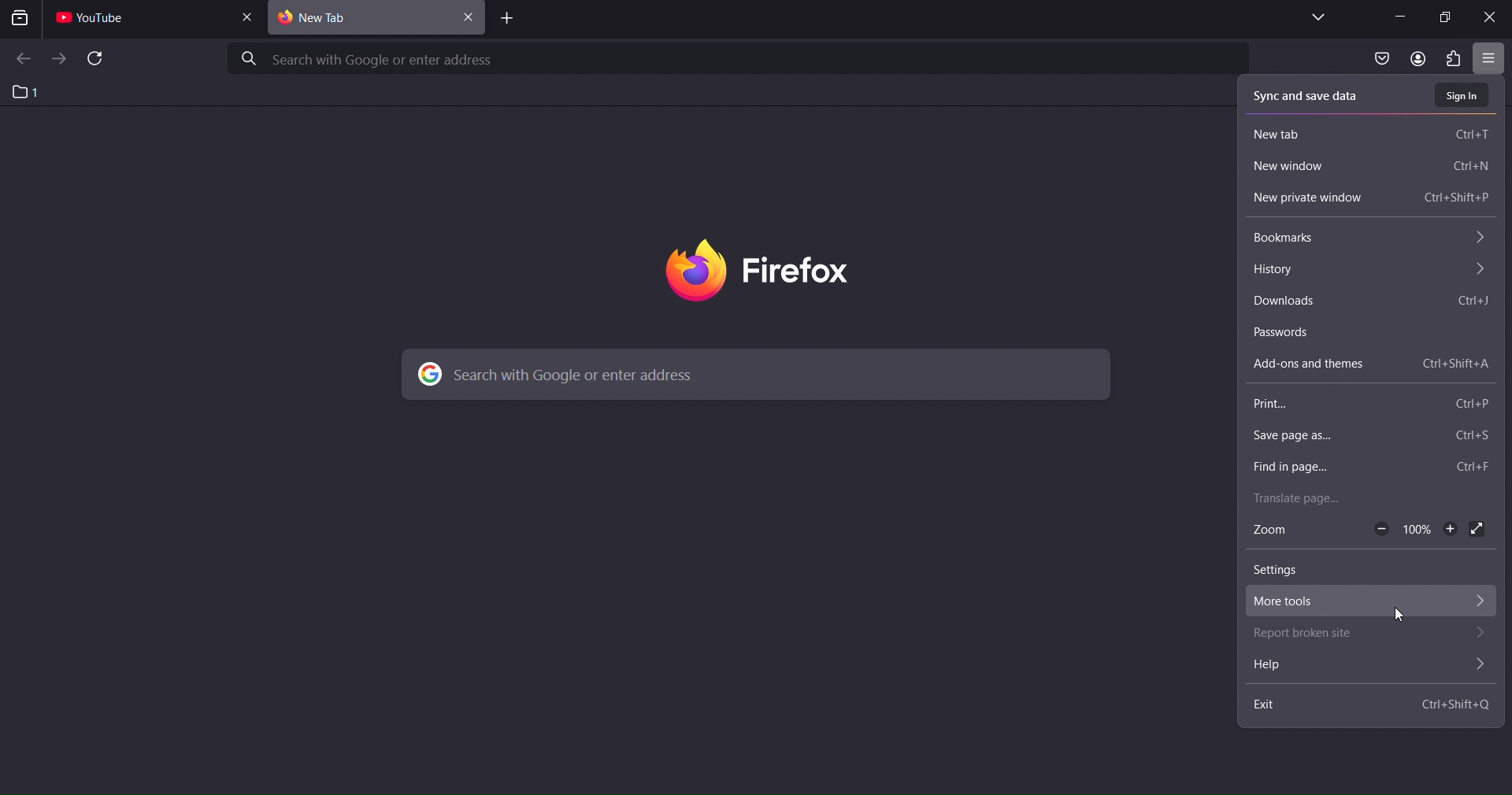  Describe the element at coordinates (750, 374) in the screenshot. I see `search with Google or enter address` at that location.